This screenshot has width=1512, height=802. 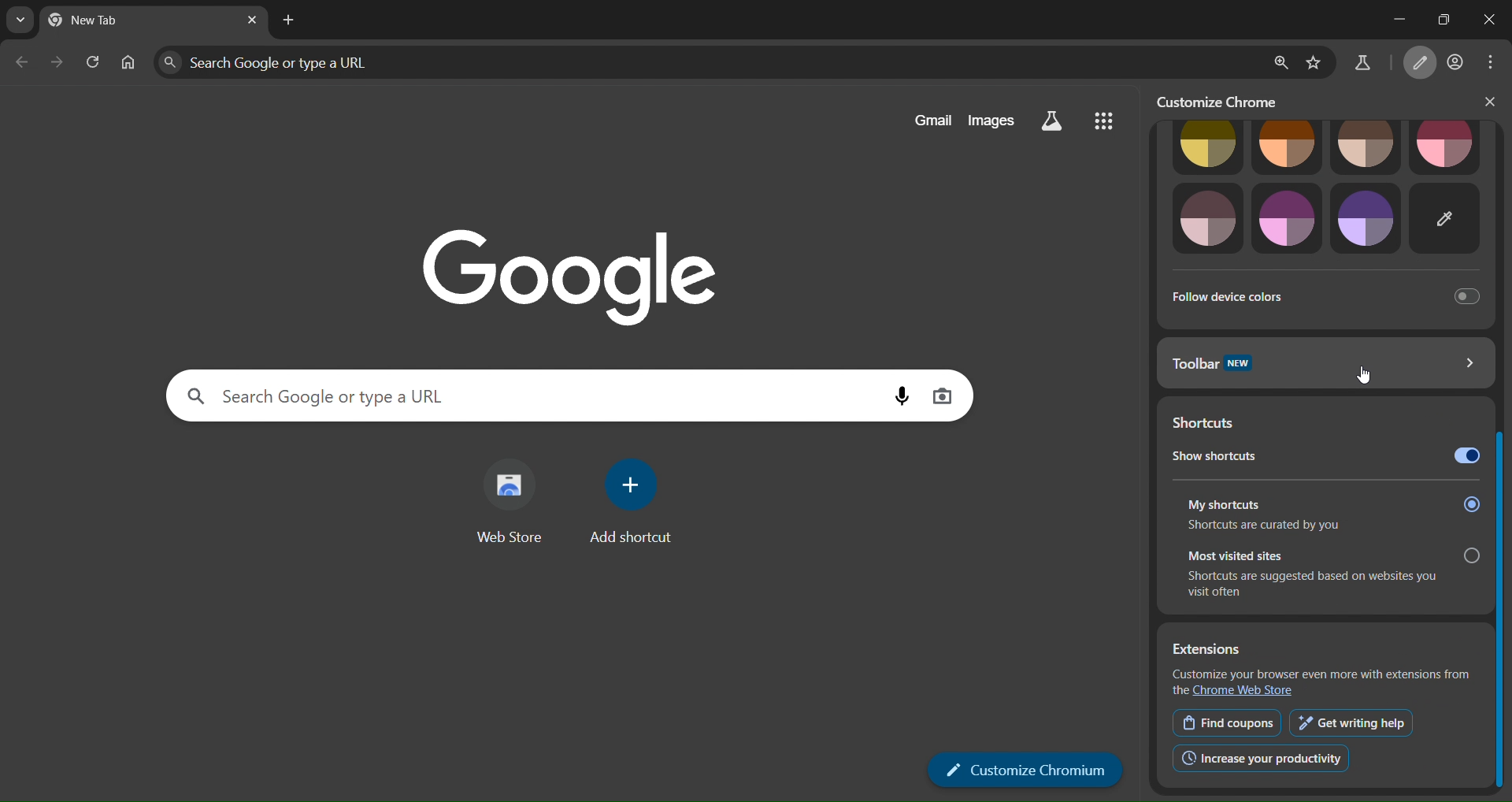 What do you see at coordinates (534, 395) in the screenshot?
I see `Search Google or type a URL` at bounding box center [534, 395].